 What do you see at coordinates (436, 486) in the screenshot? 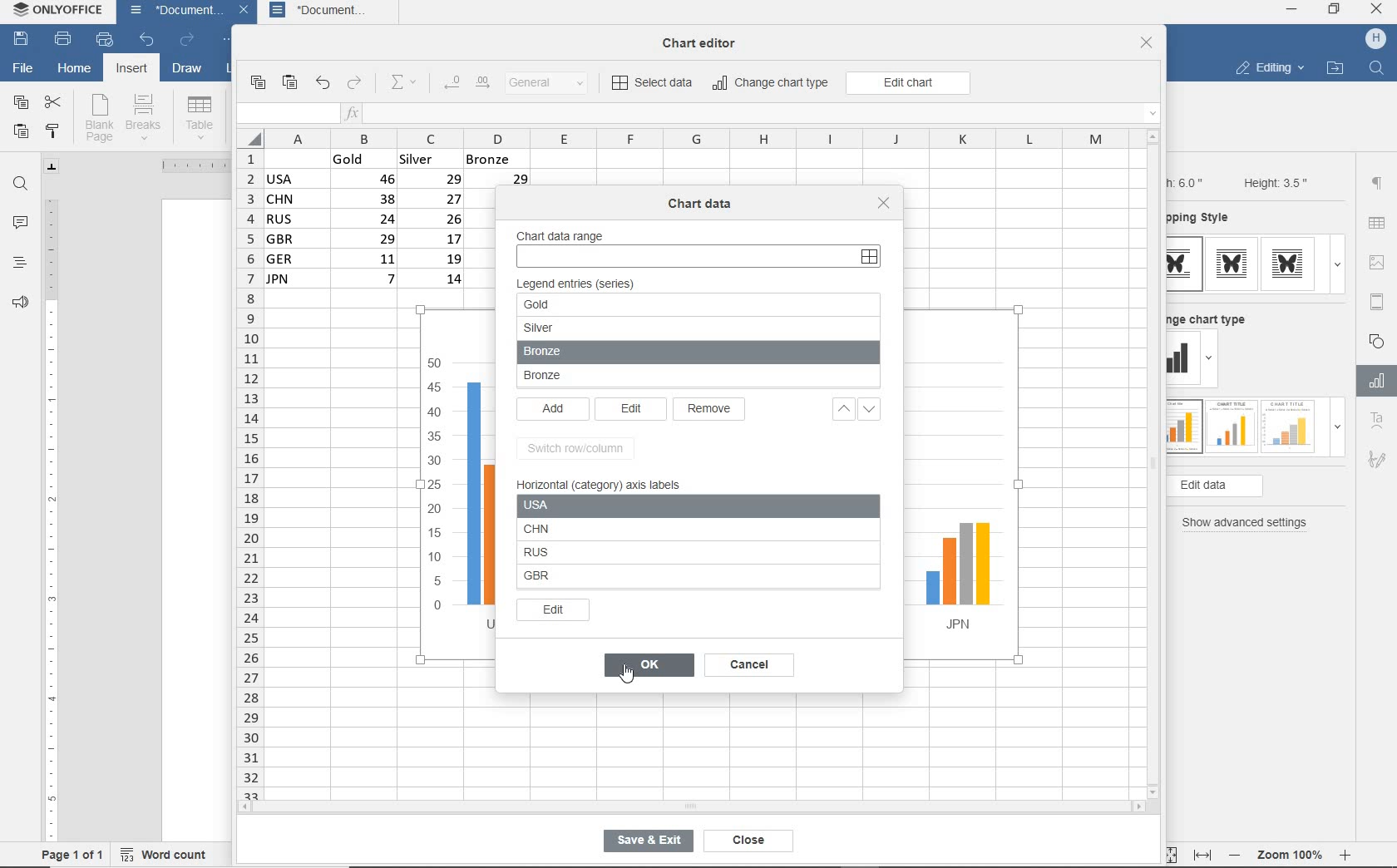
I see `y axis values` at bounding box center [436, 486].